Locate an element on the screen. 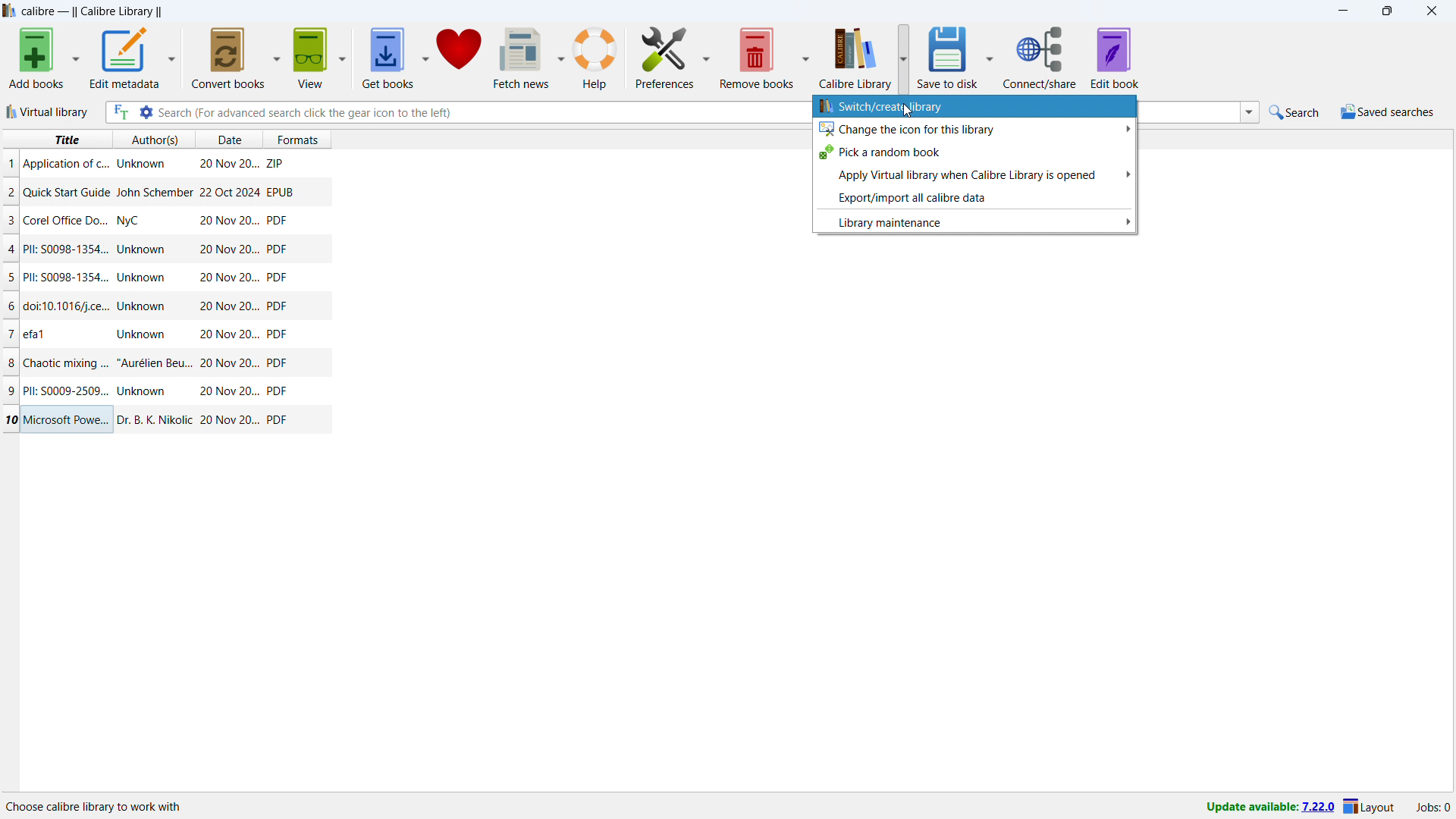 The width and height of the screenshot is (1456, 819). get books options is located at coordinates (425, 58).